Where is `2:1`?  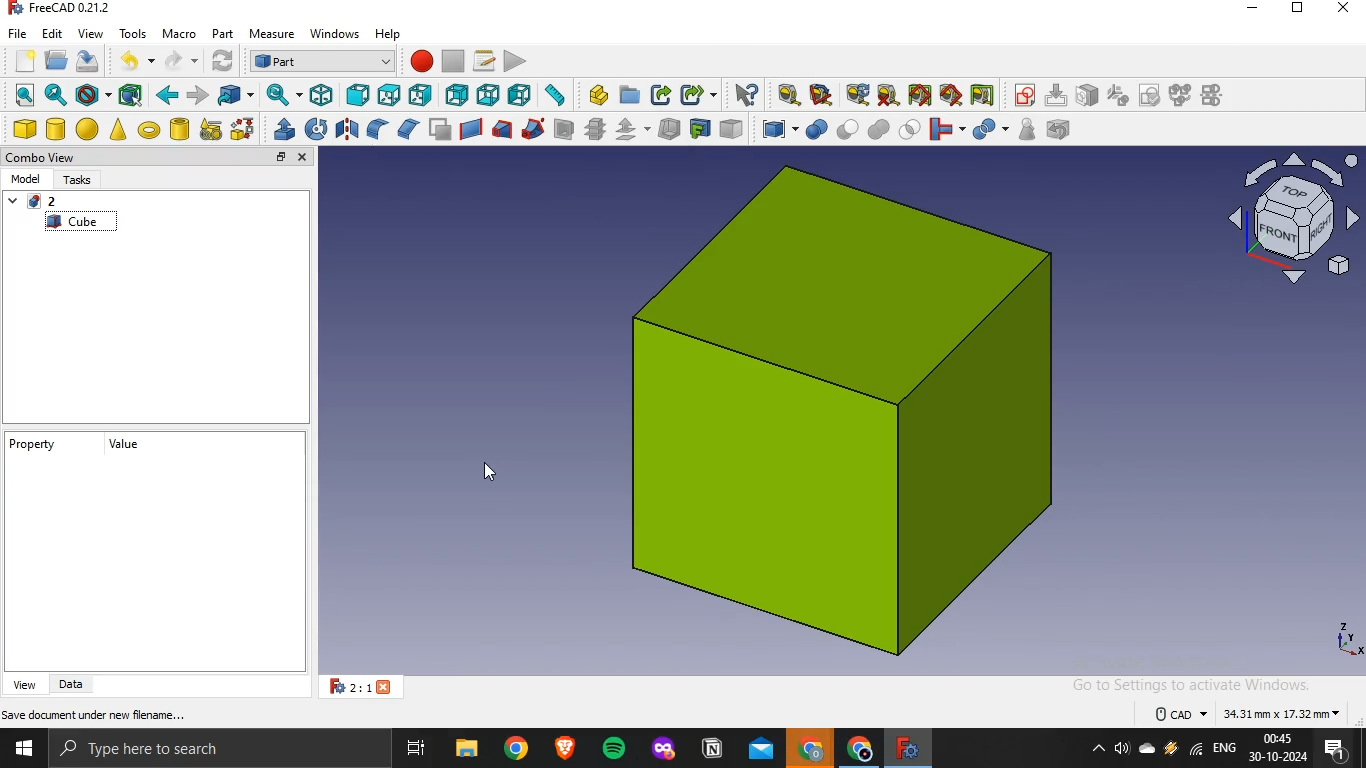 2:1 is located at coordinates (365, 686).